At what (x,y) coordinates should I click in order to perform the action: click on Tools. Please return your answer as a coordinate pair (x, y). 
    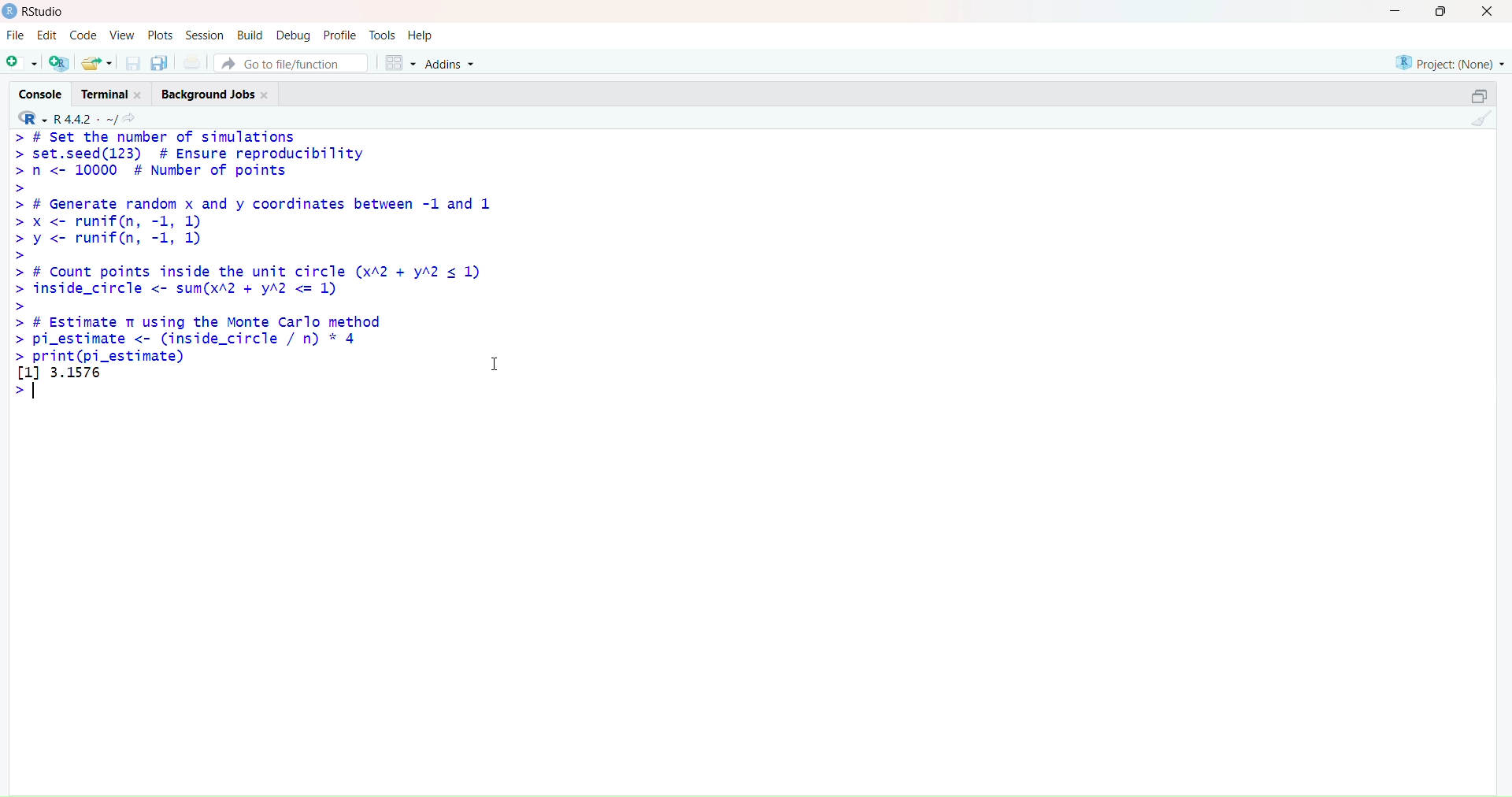
    Looking at the image, I should click on (383, 34).